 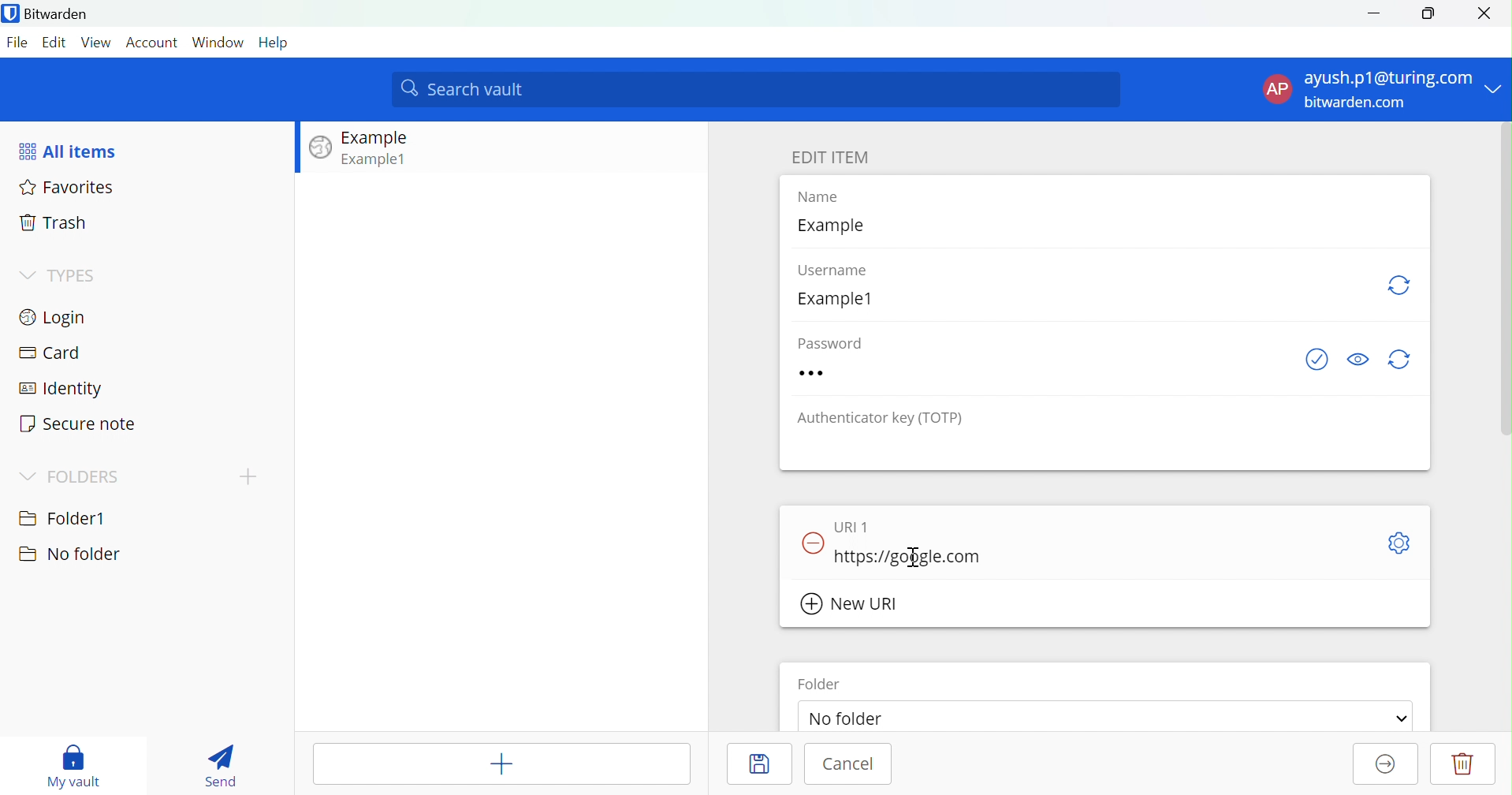 What do you see at coordinates (20, 43) in the screenshot?
I see `File` at bounding box center [20, 43].